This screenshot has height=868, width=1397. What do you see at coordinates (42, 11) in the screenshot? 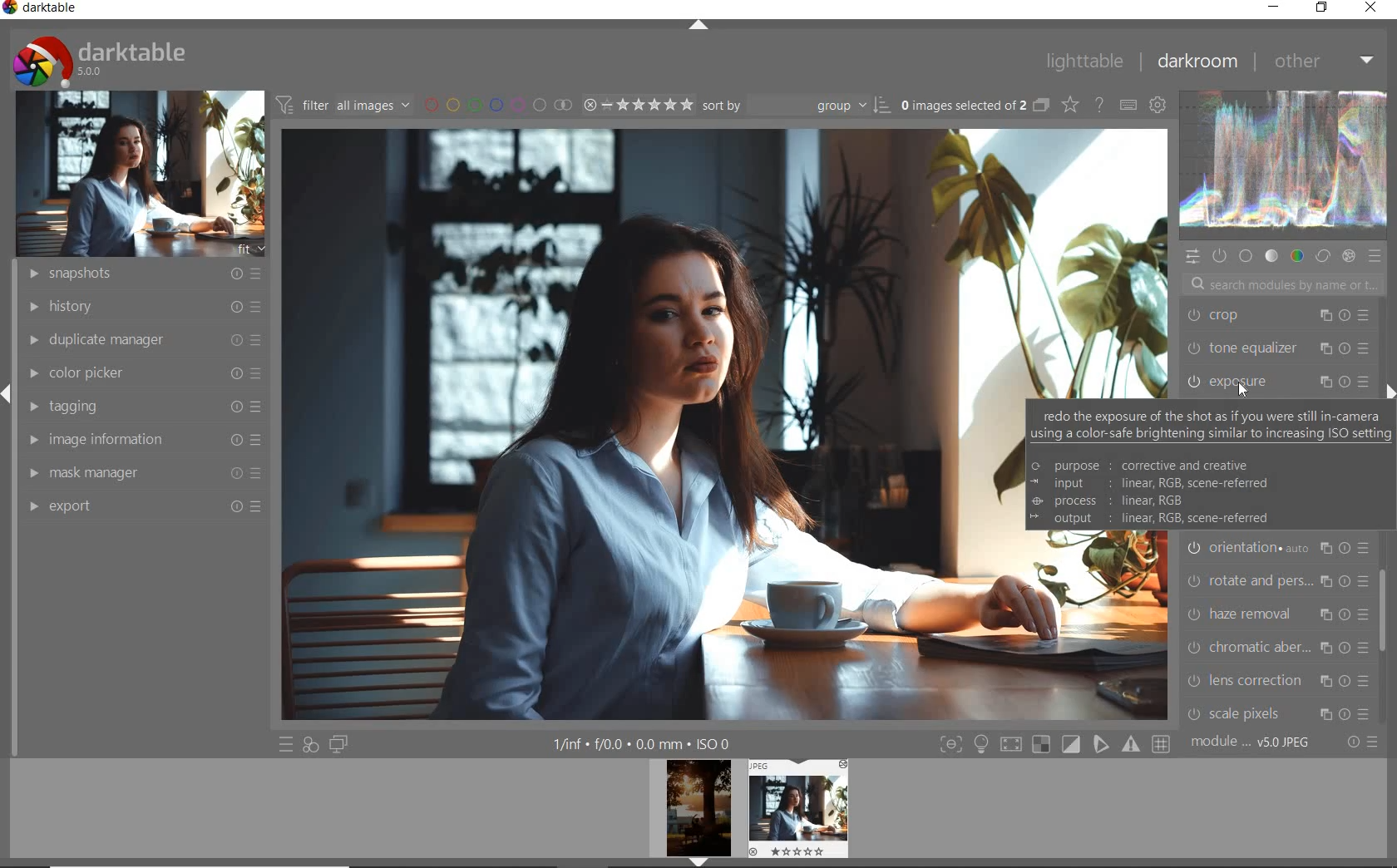
I see `SYSTEM NAME` at bounding box center [42, 11].